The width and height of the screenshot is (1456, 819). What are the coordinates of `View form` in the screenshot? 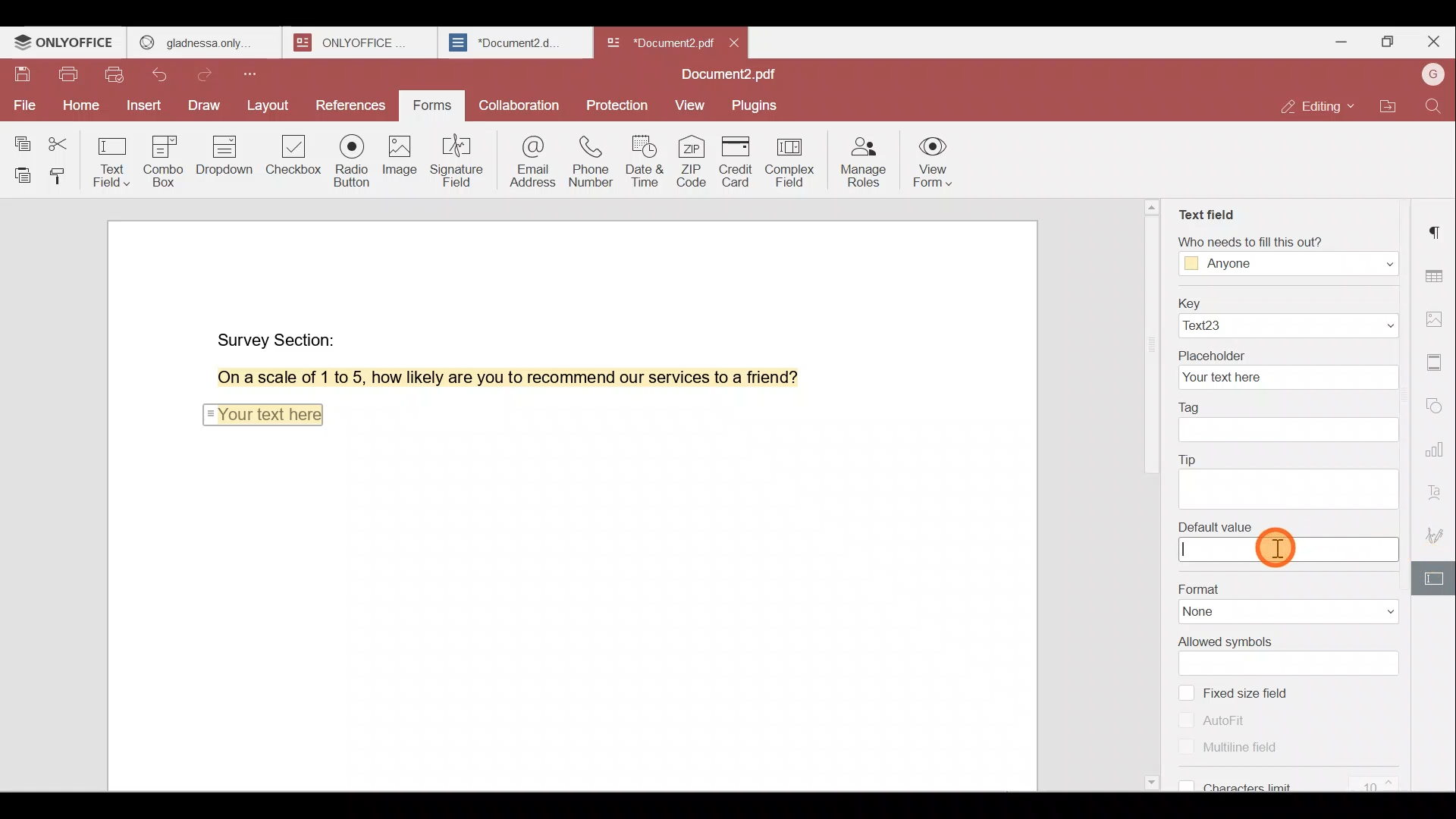 It's located at (933, 164).